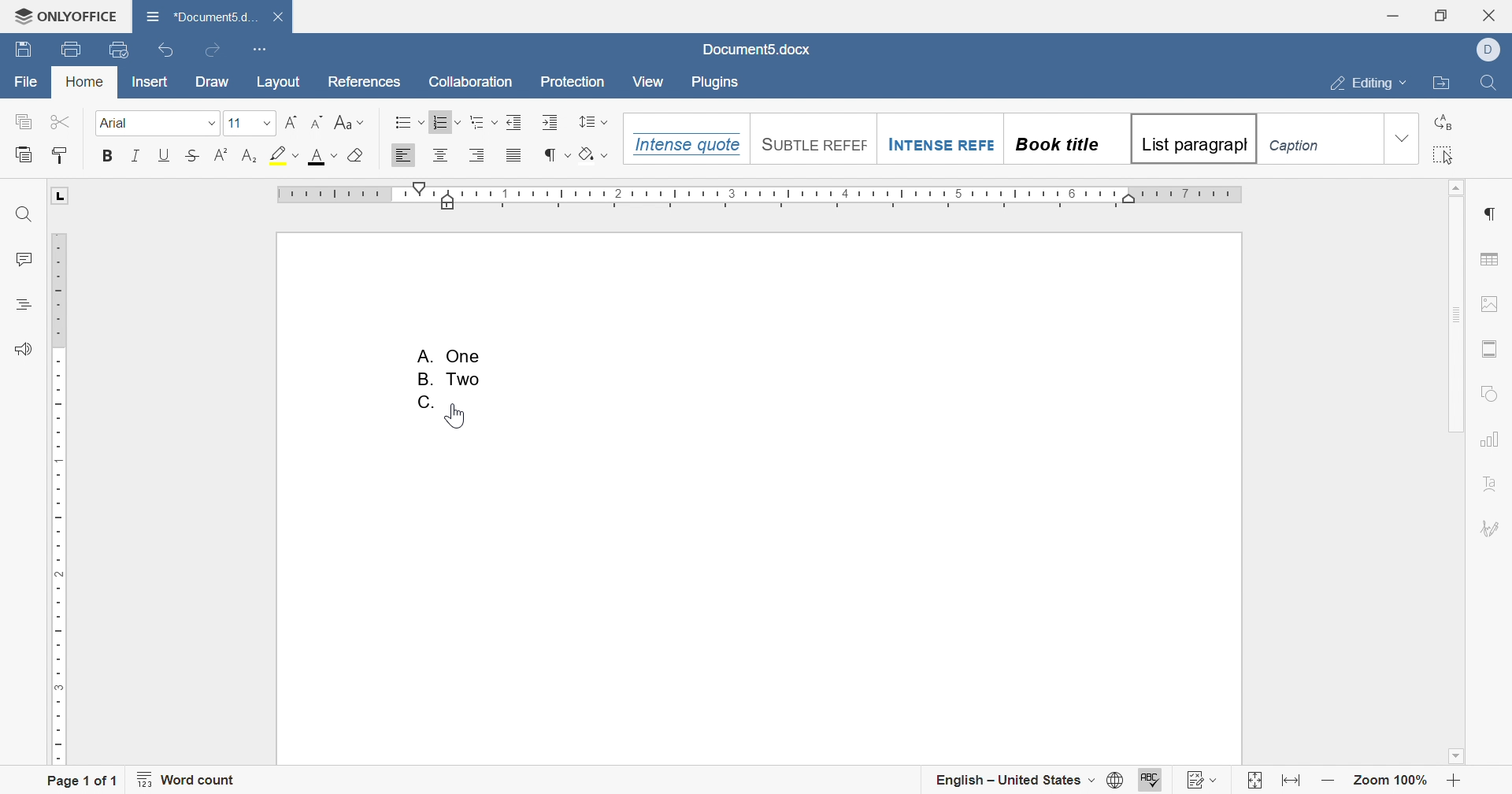 This screenshot has height=794, width=1512. I want to click on header & footer settings, so click(1489, 350).